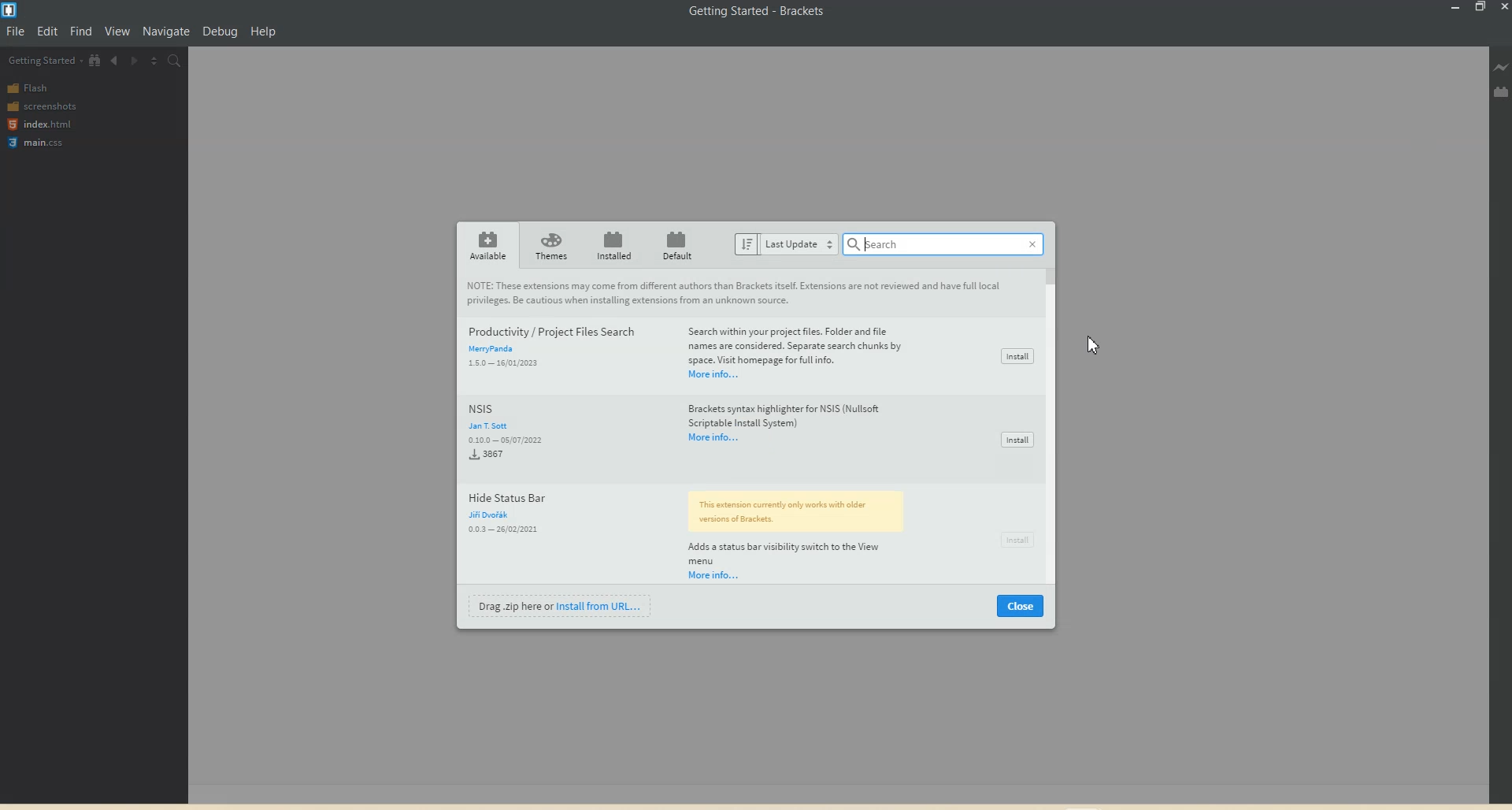 The image size is (1512, 810). What do you see at coordinates (514, 607) in the screenshot?
I see `Drag .zip here` at bounding box center [514, 607].